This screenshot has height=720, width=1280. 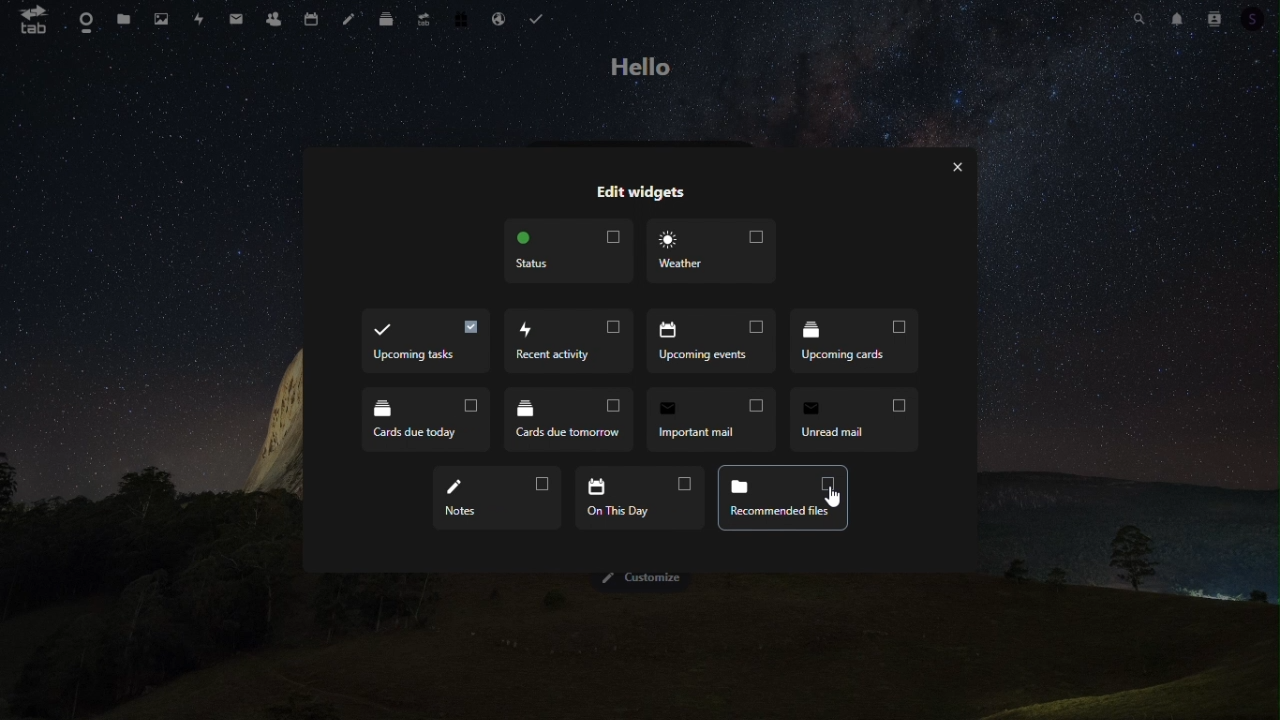 I want to click on Customize, so click(x=639, y=579).